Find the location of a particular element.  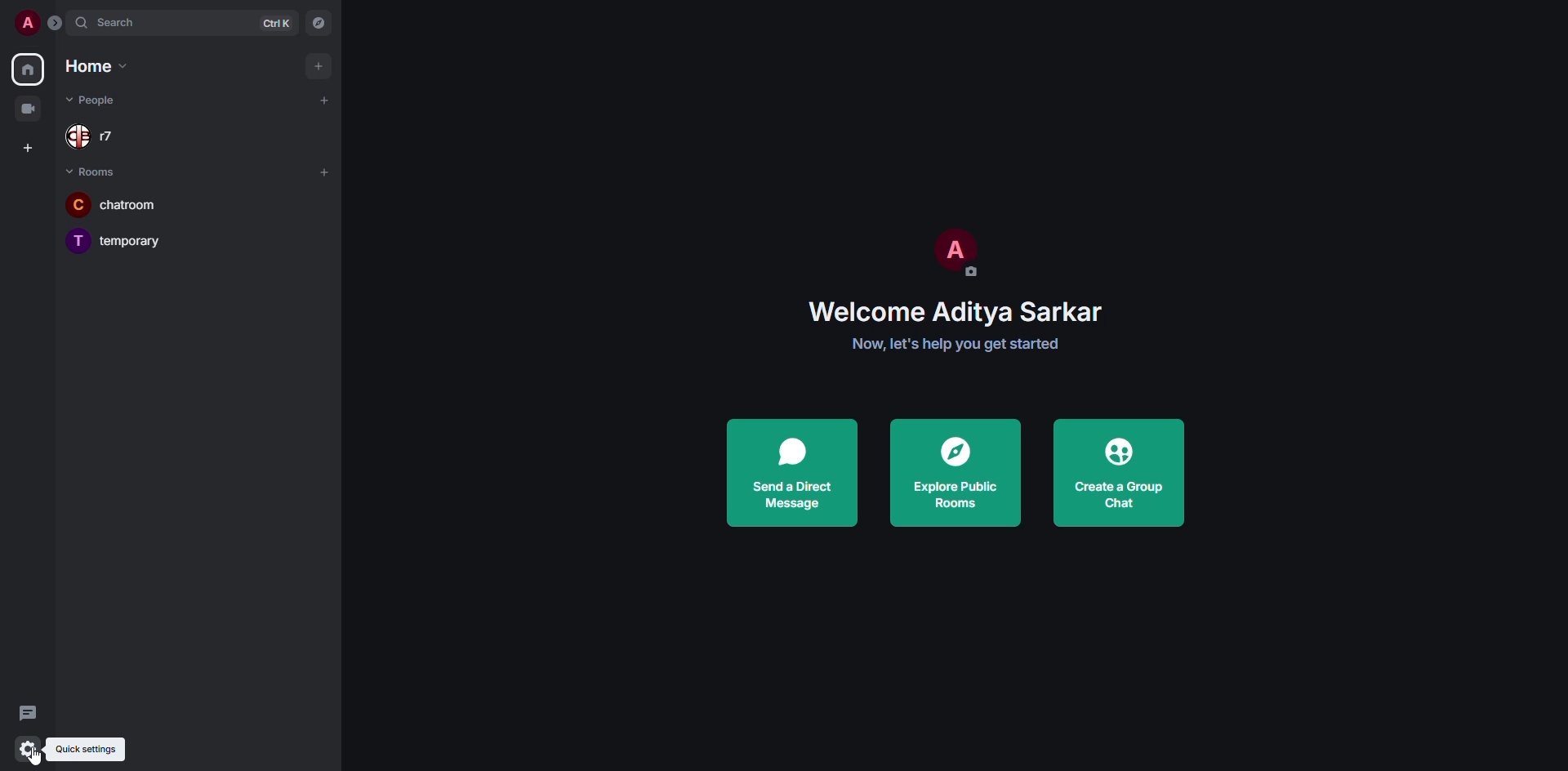

temporary is located at coordinates (115, 240).